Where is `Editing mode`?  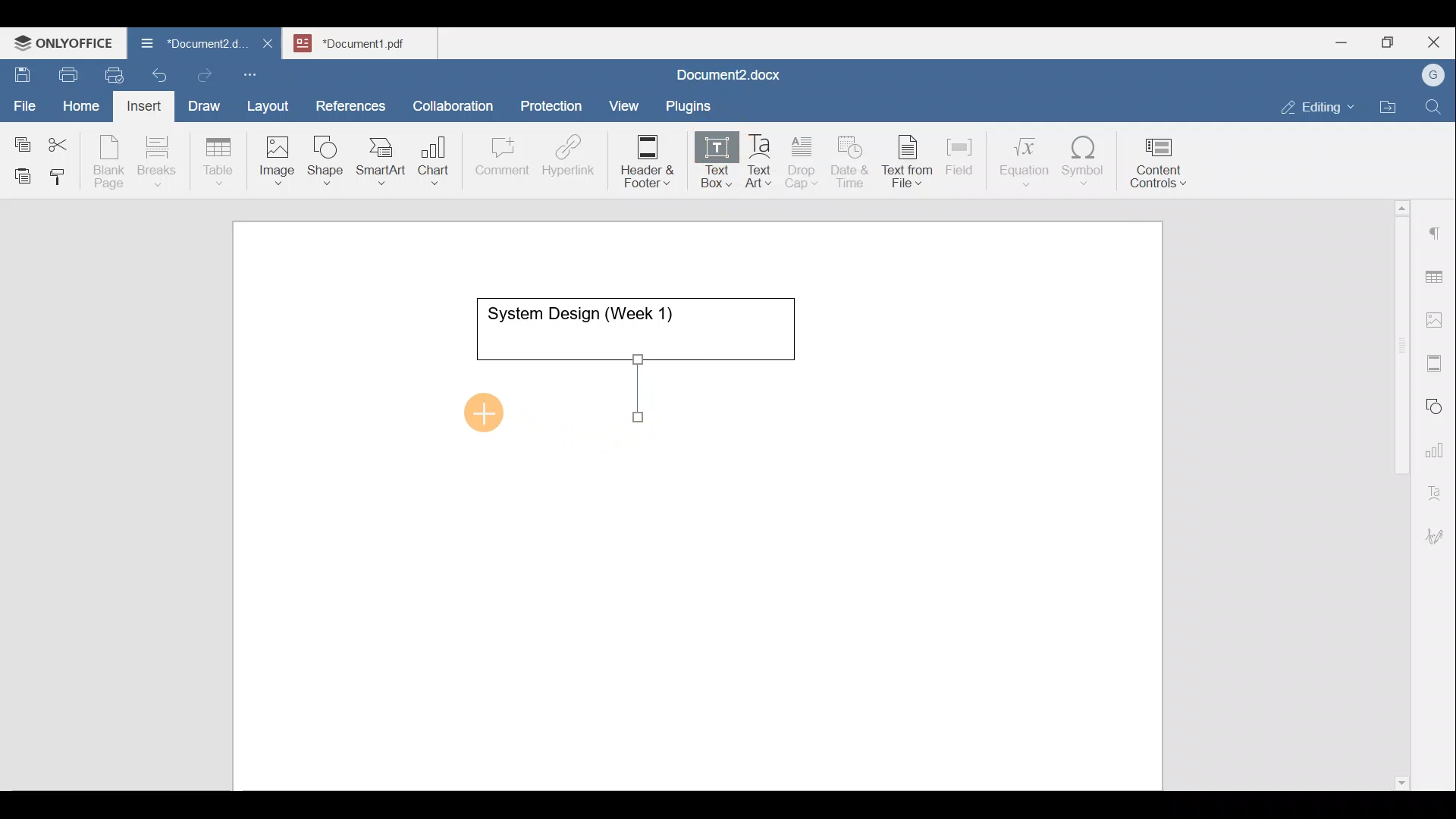
Editing mode is located at coordinates (1318, 104).